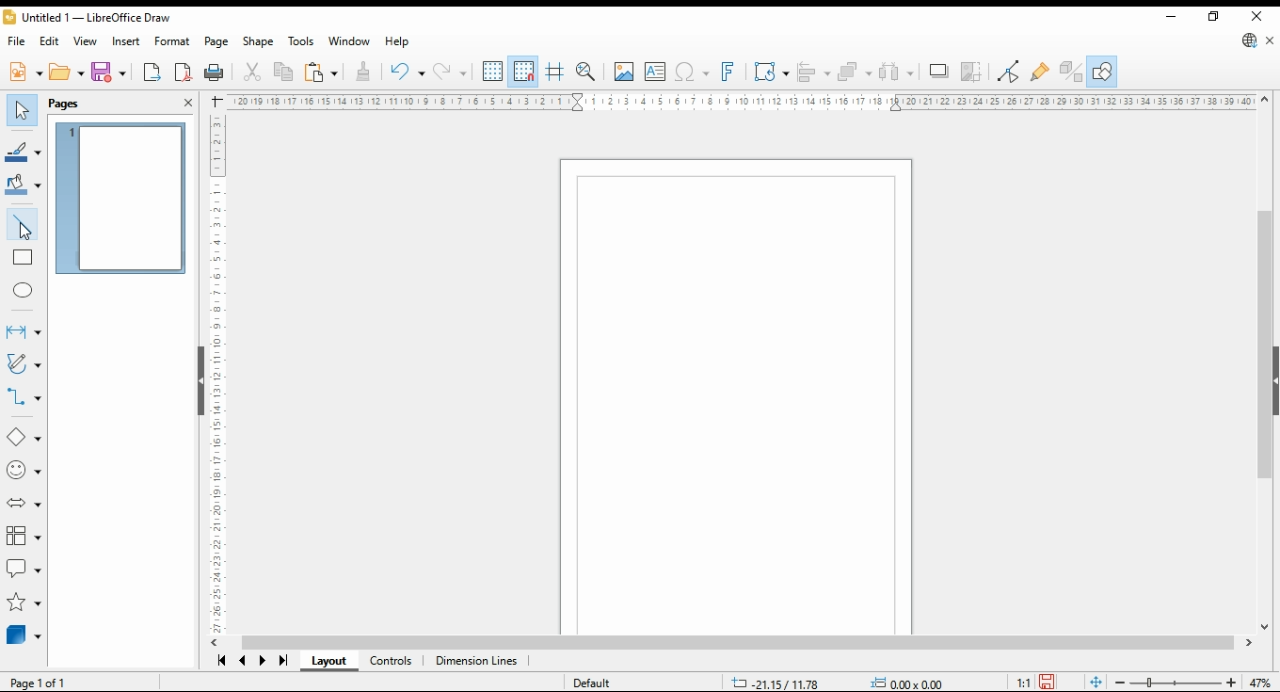  Describe the element at coordinates (24, 397) in the screenshot. I see `connectors` at that location.